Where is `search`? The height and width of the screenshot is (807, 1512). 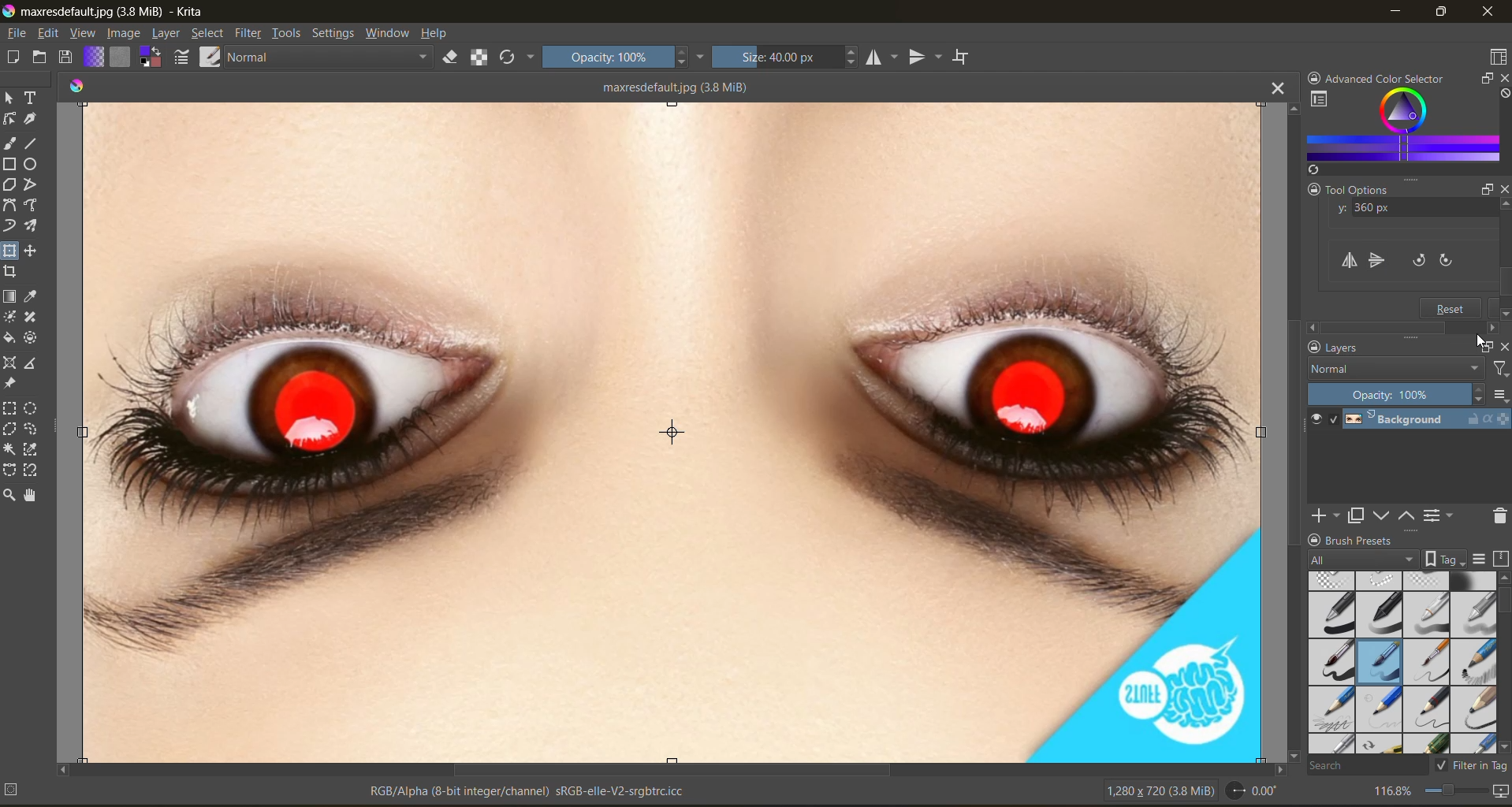 search is located at coordinates (1365, 767).